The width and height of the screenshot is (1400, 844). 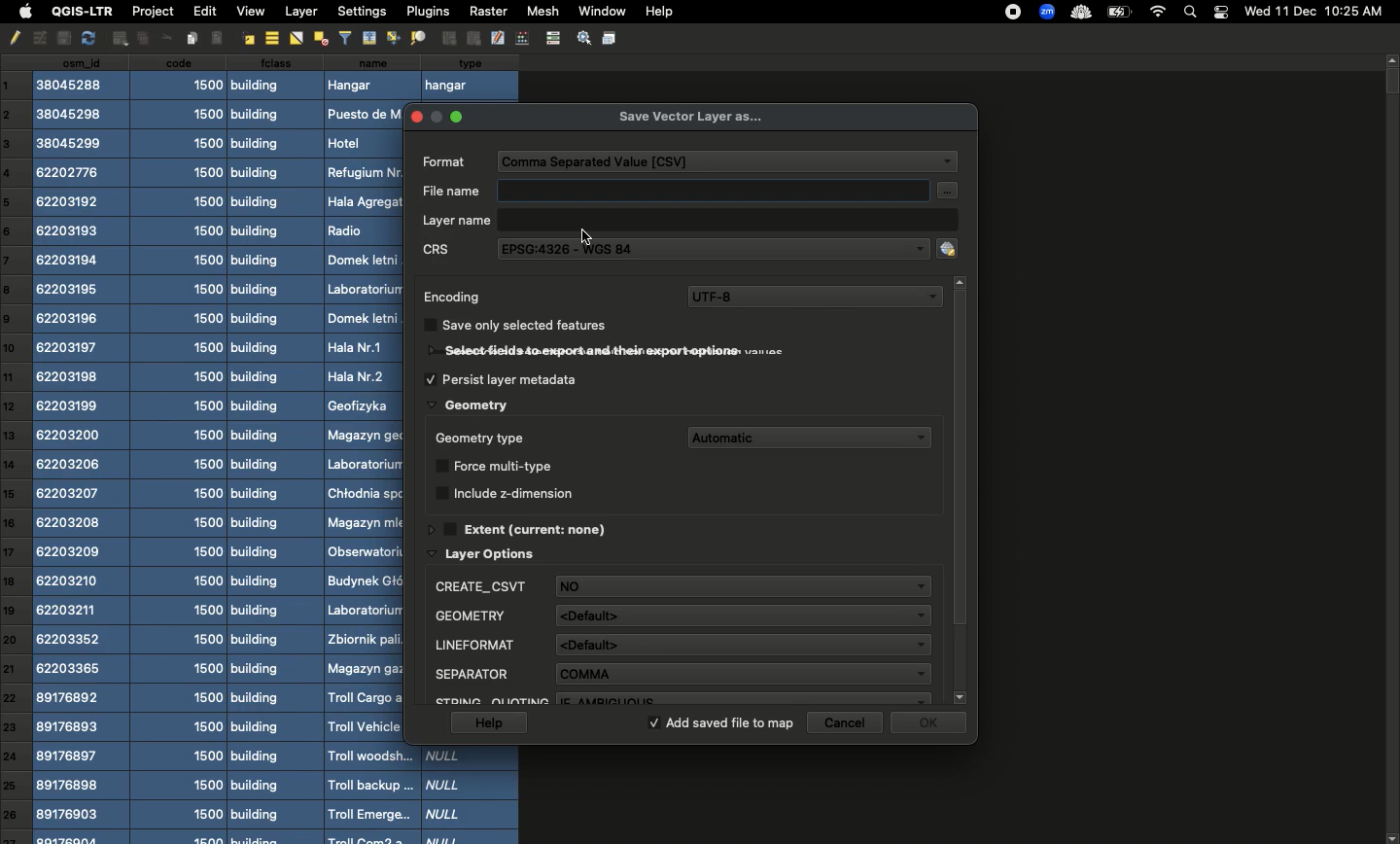 What do you see at coordinates (1118, 13) in the screenshot?
I see `Charge` at bounding box center [1118, 13].